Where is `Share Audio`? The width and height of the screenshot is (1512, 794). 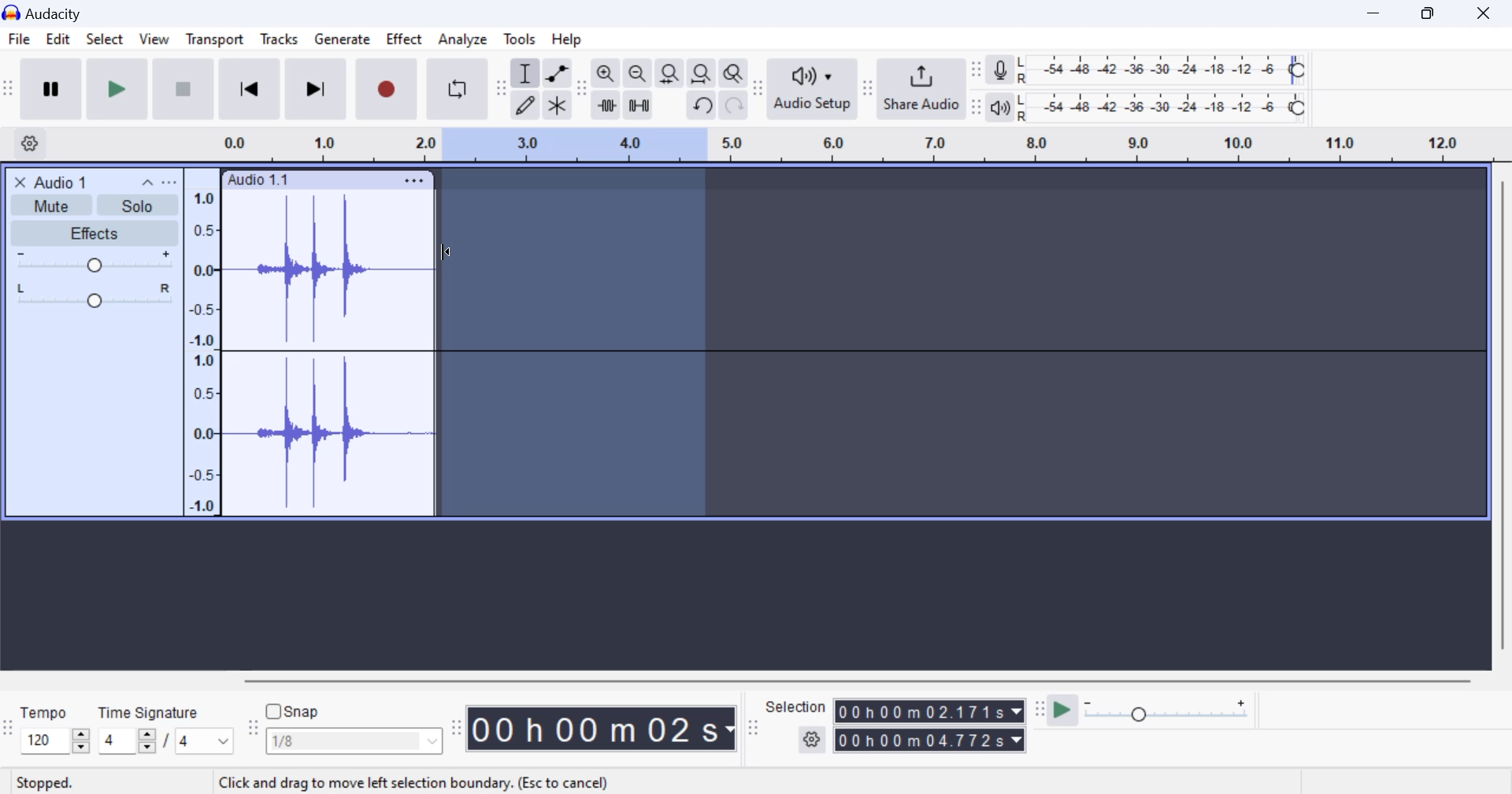 Share Audio is located at coordinates (921, 88).